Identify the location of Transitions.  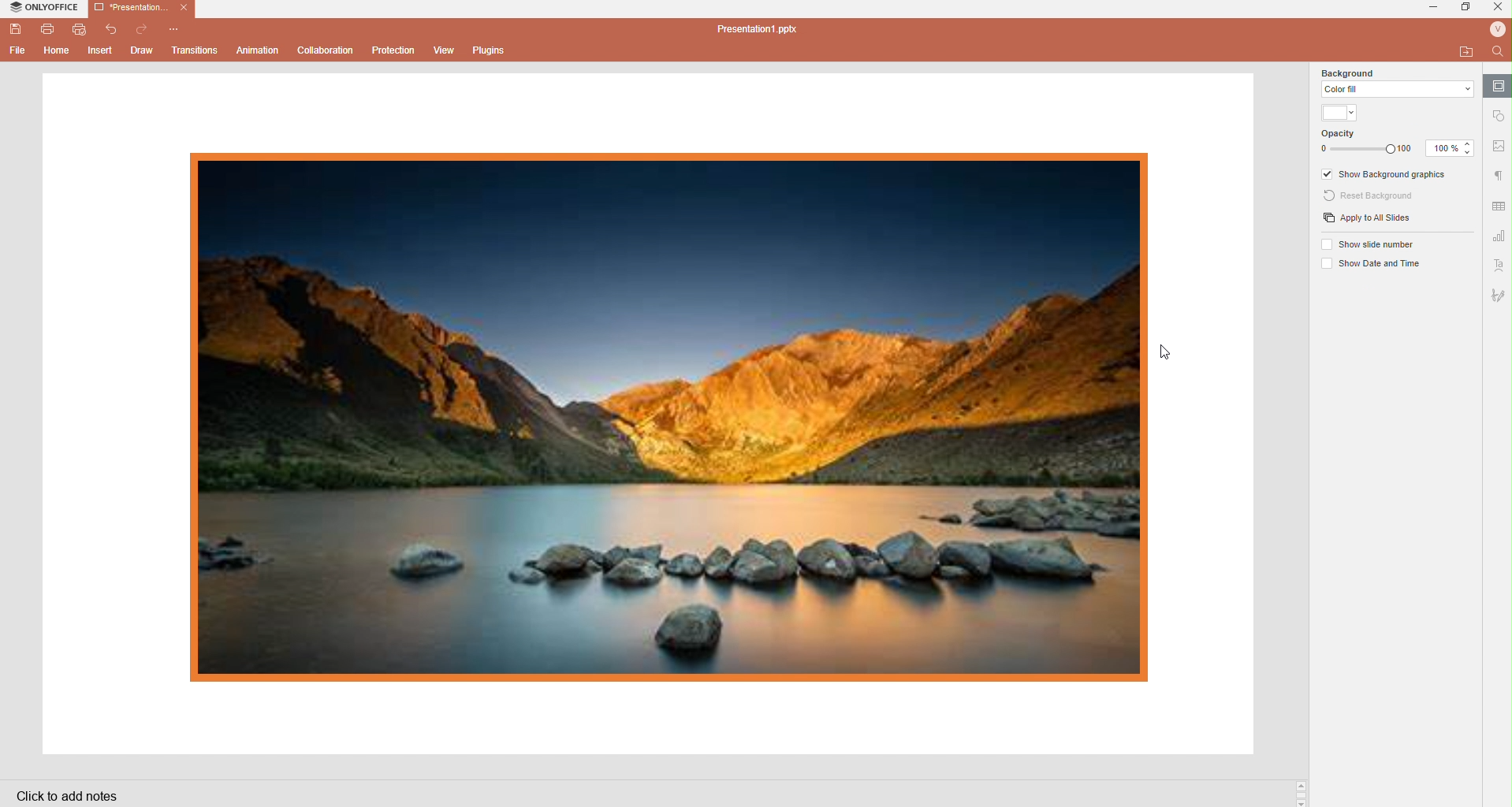
(195, 50).